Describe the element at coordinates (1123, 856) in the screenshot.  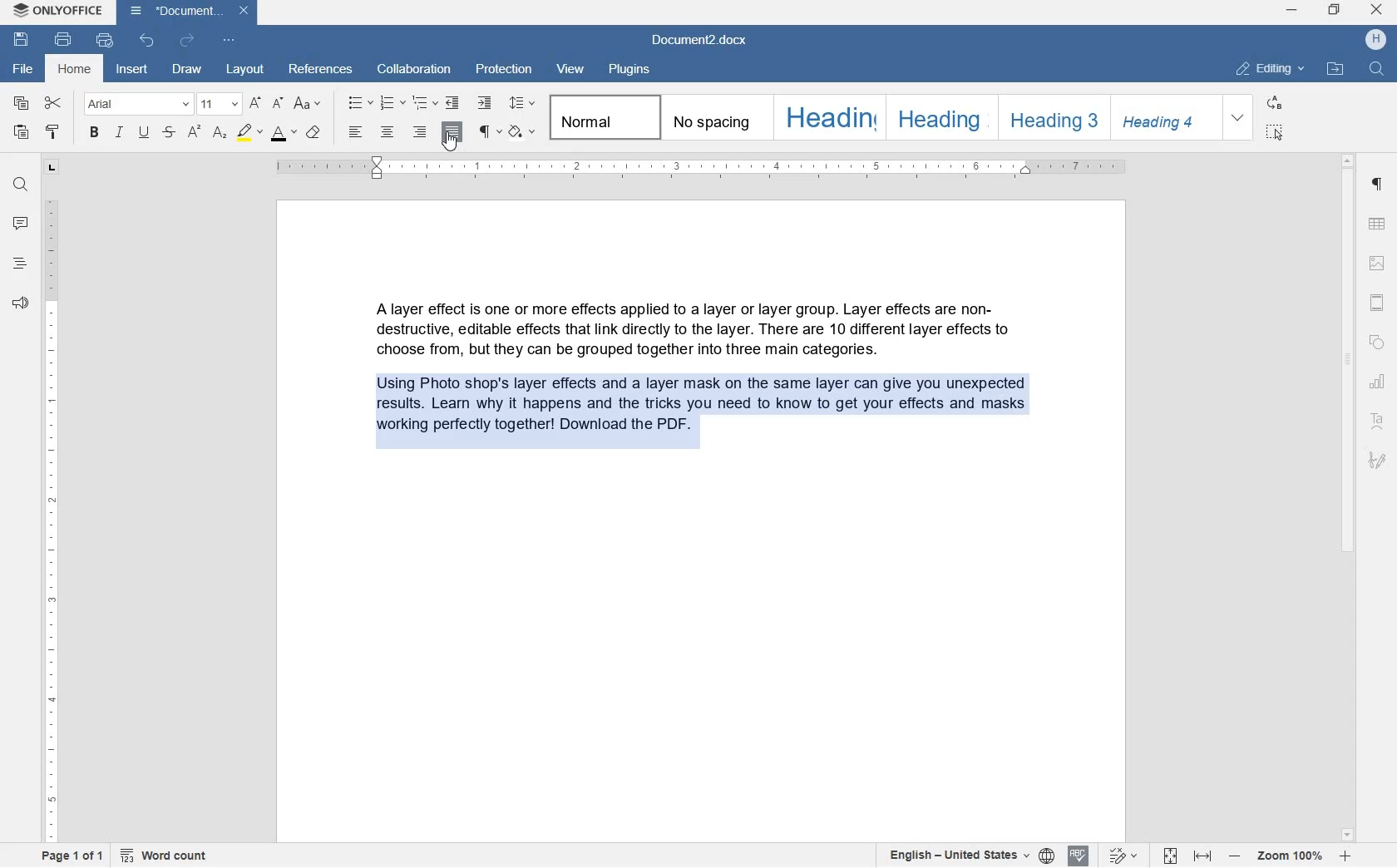
I see `TRACK CHANGES` at that location.